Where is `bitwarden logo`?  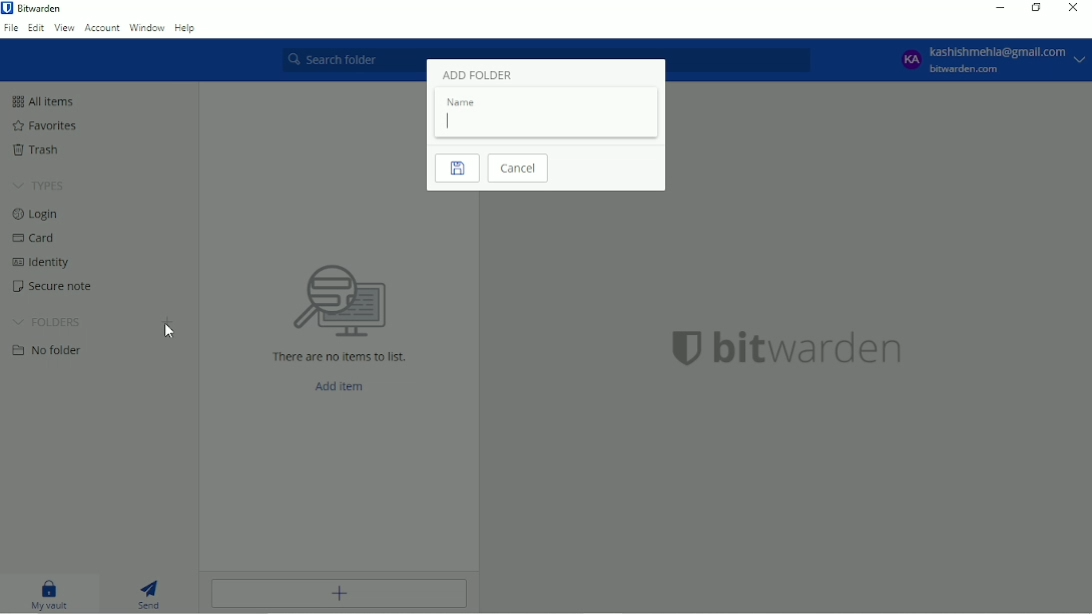
bitwarden logo is located at coordinates (679, 353).